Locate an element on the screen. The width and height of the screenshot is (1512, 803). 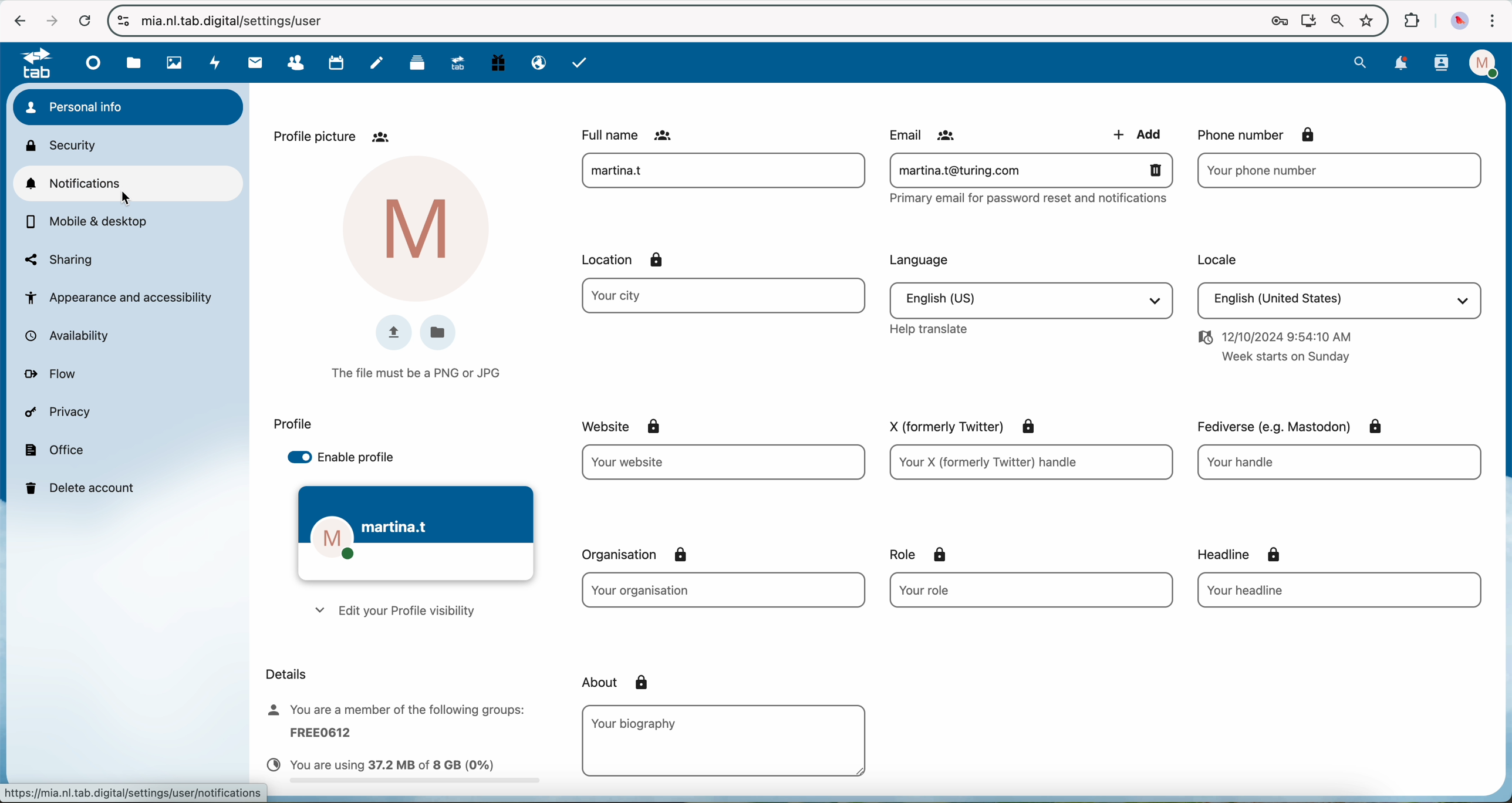
upgrade is located at coordinates (462, 65).